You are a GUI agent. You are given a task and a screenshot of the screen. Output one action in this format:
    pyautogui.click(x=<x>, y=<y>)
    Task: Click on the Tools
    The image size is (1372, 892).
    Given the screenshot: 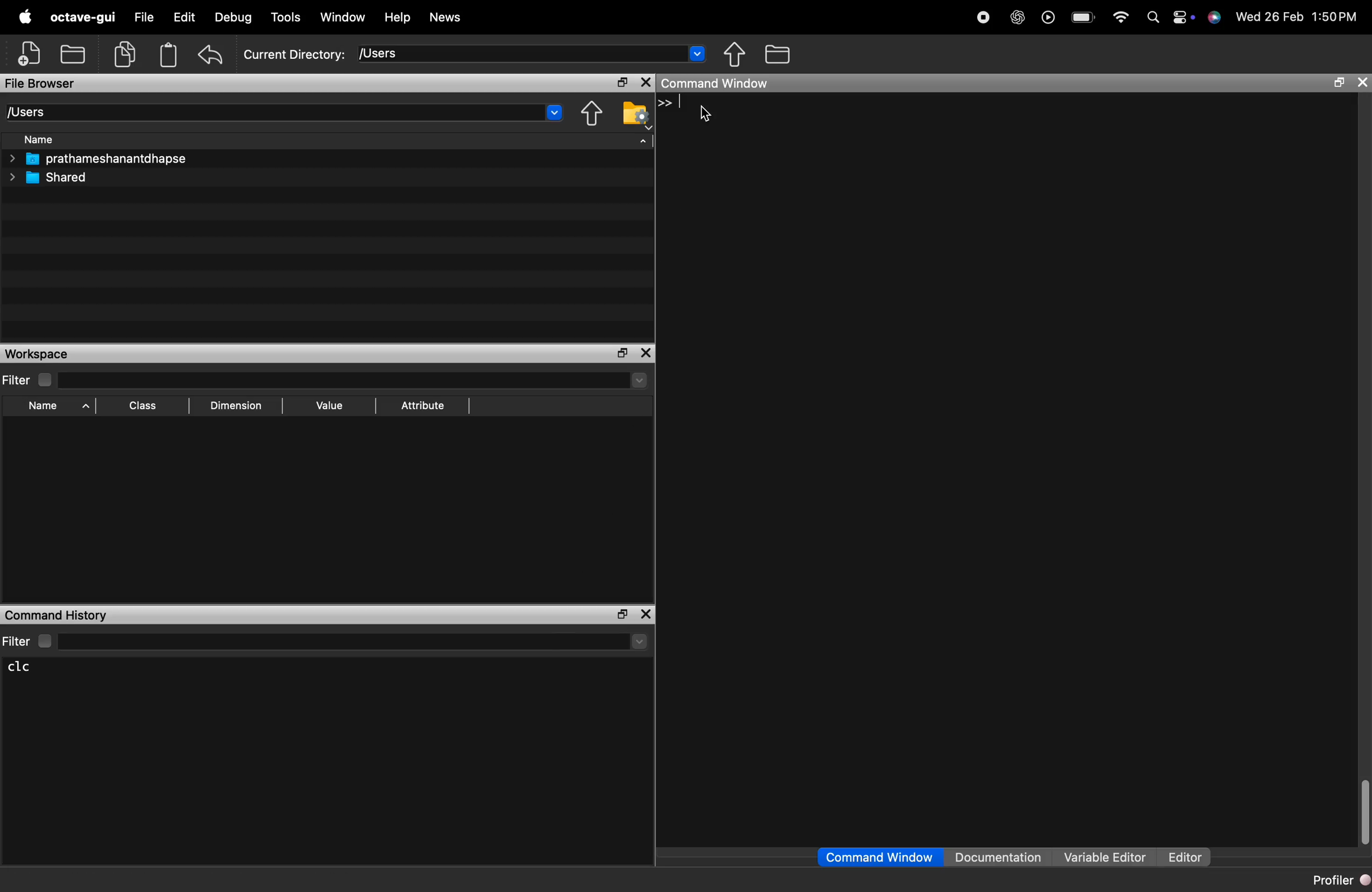 What is the action you would take?
    pyautogui.click(x=287, y=18)
    